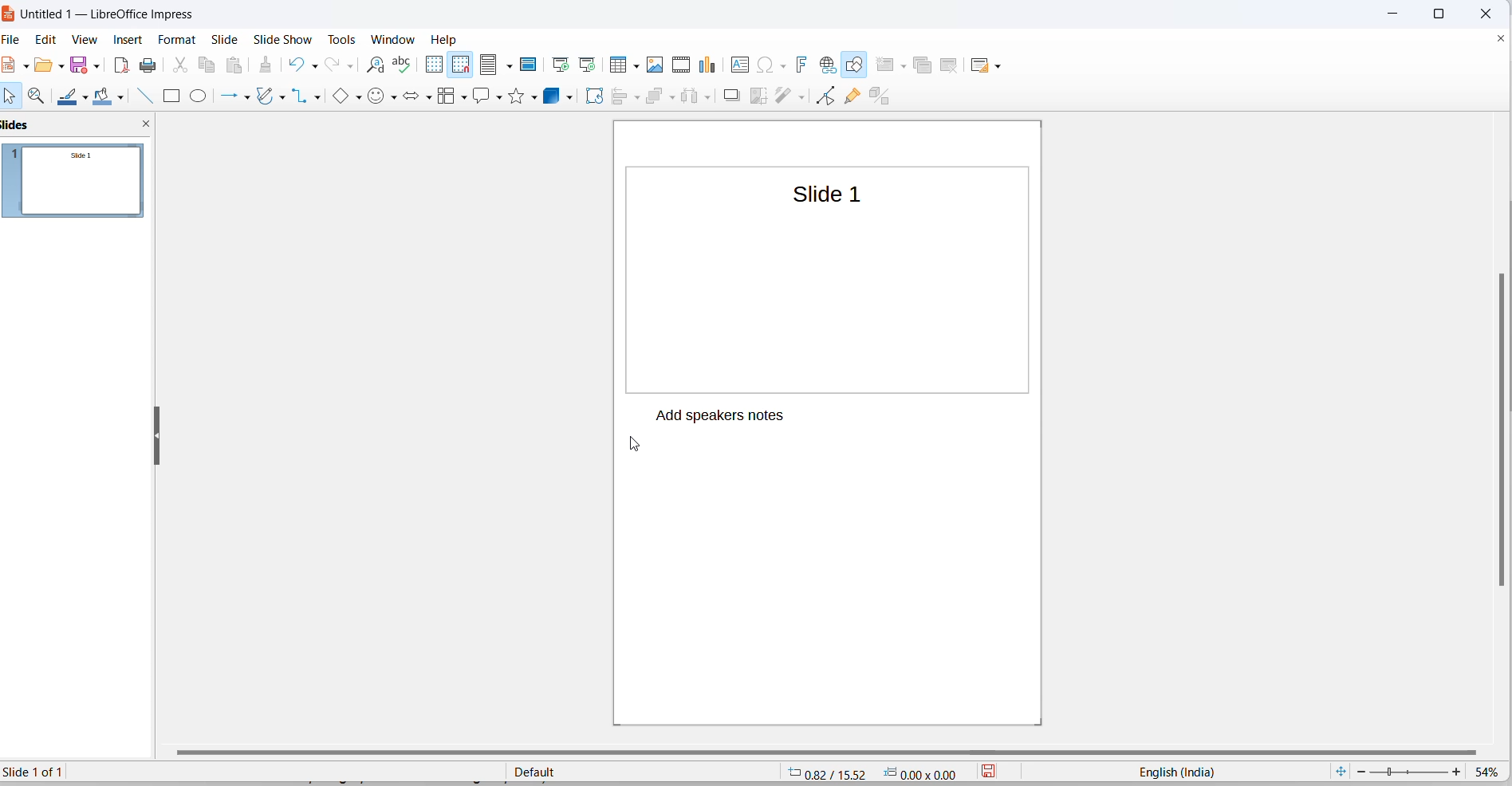 The image size is (1512, 786). What do you see at coordinates (395, 99) in the screenshot?
I see `symbol shapes options` at bounding box center [395, 99].